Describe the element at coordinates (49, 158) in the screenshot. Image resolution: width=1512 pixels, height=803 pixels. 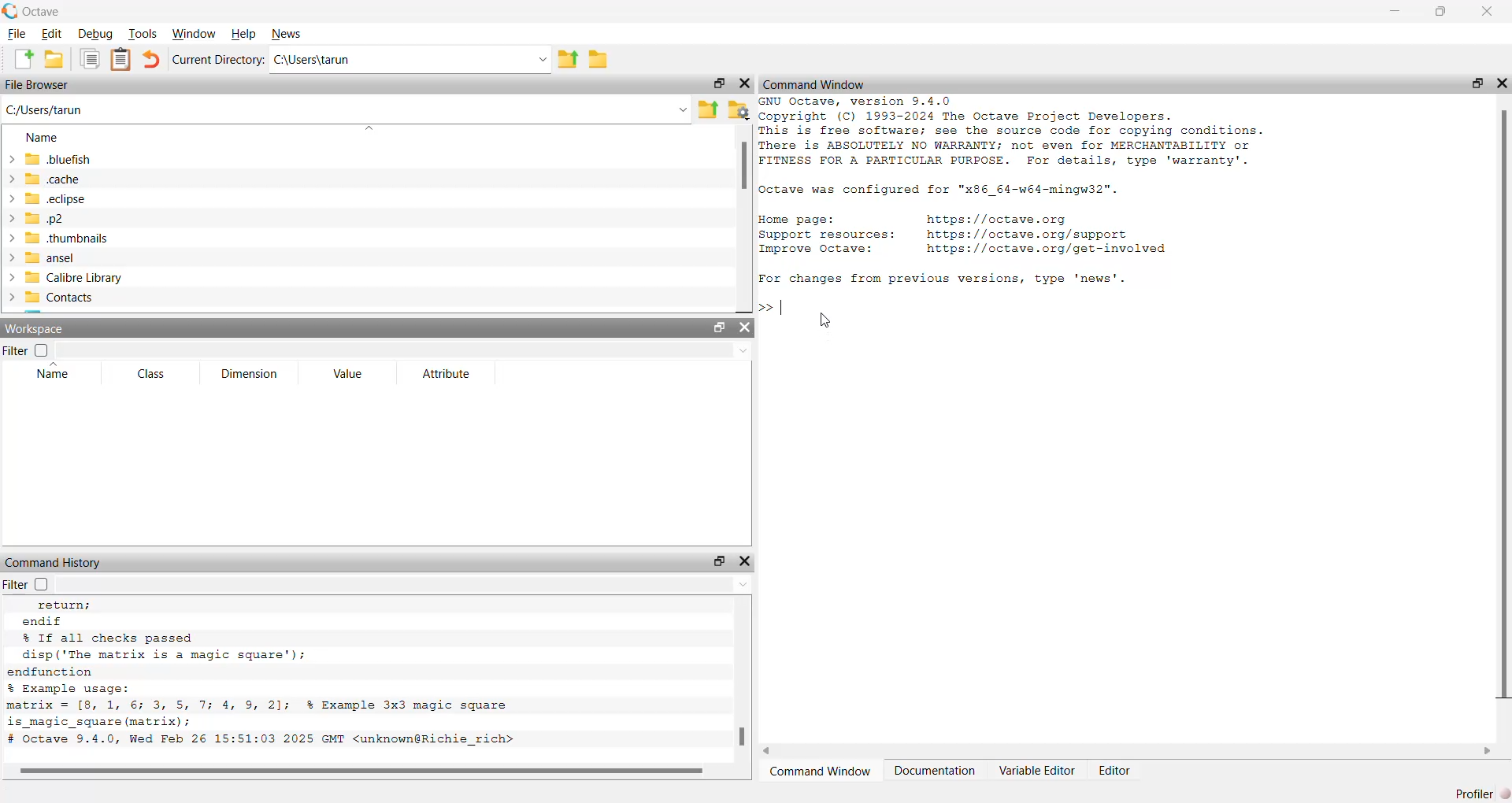
I see `.bluefish` at that location.